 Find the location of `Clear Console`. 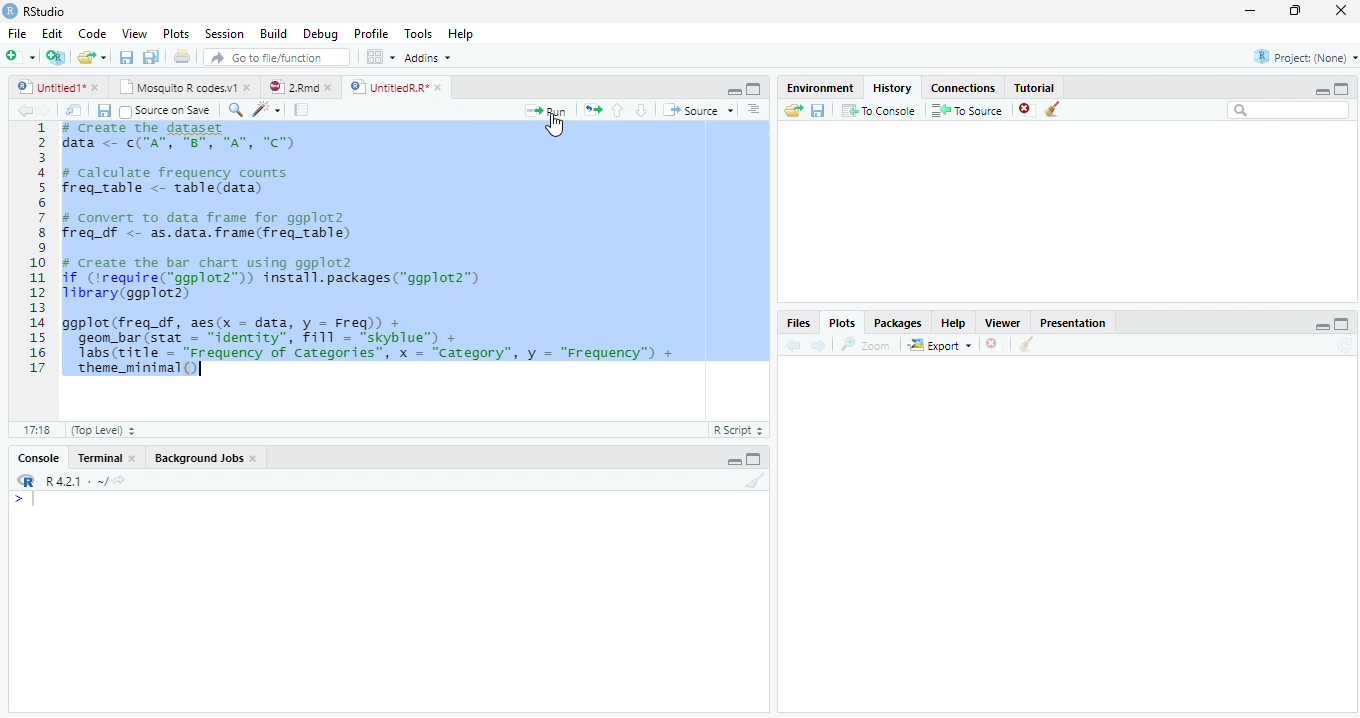

Clear Console is located at coordinates (753, 482).